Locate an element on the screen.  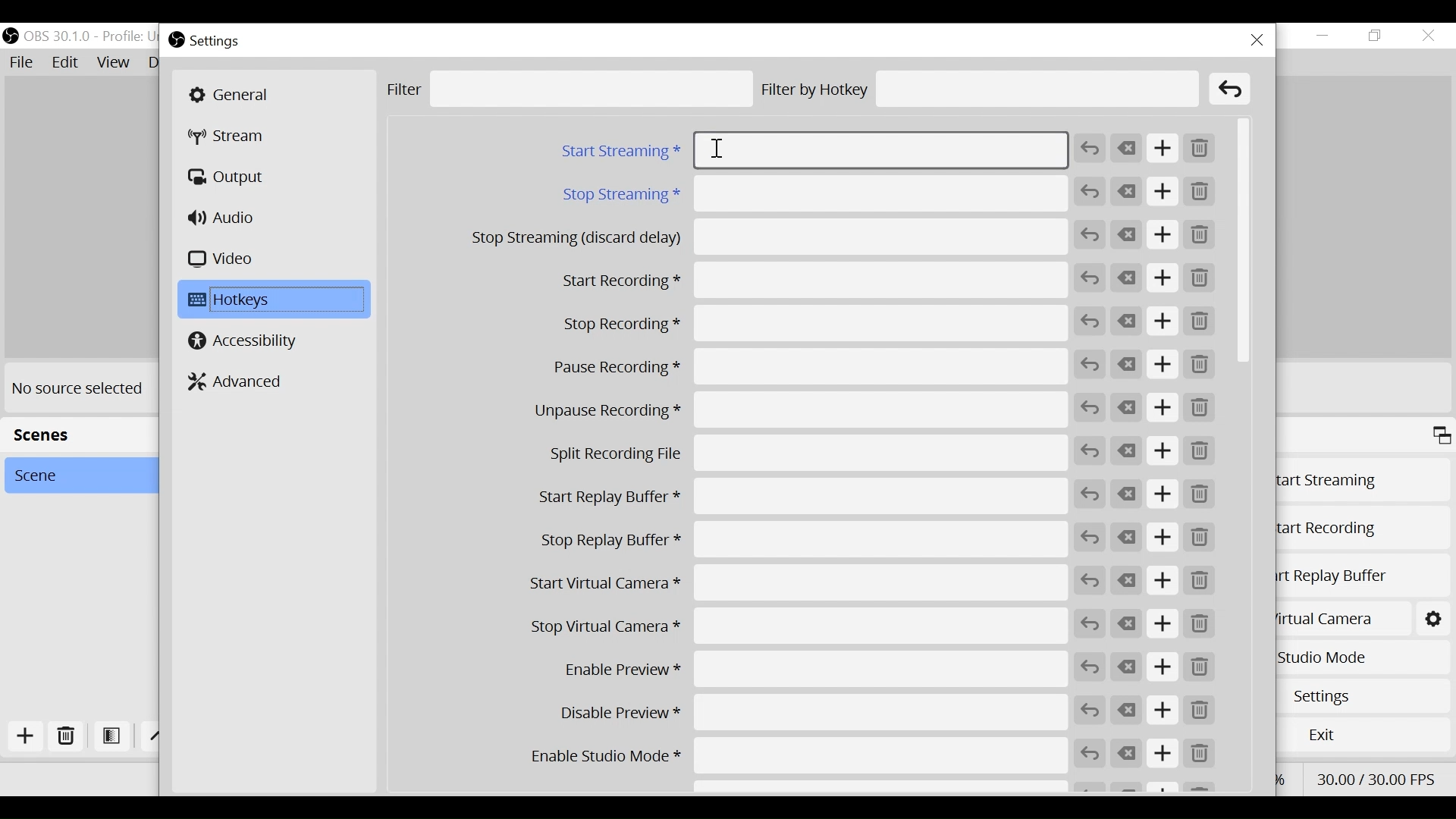
Clear is located at coordinates (1125, 494).